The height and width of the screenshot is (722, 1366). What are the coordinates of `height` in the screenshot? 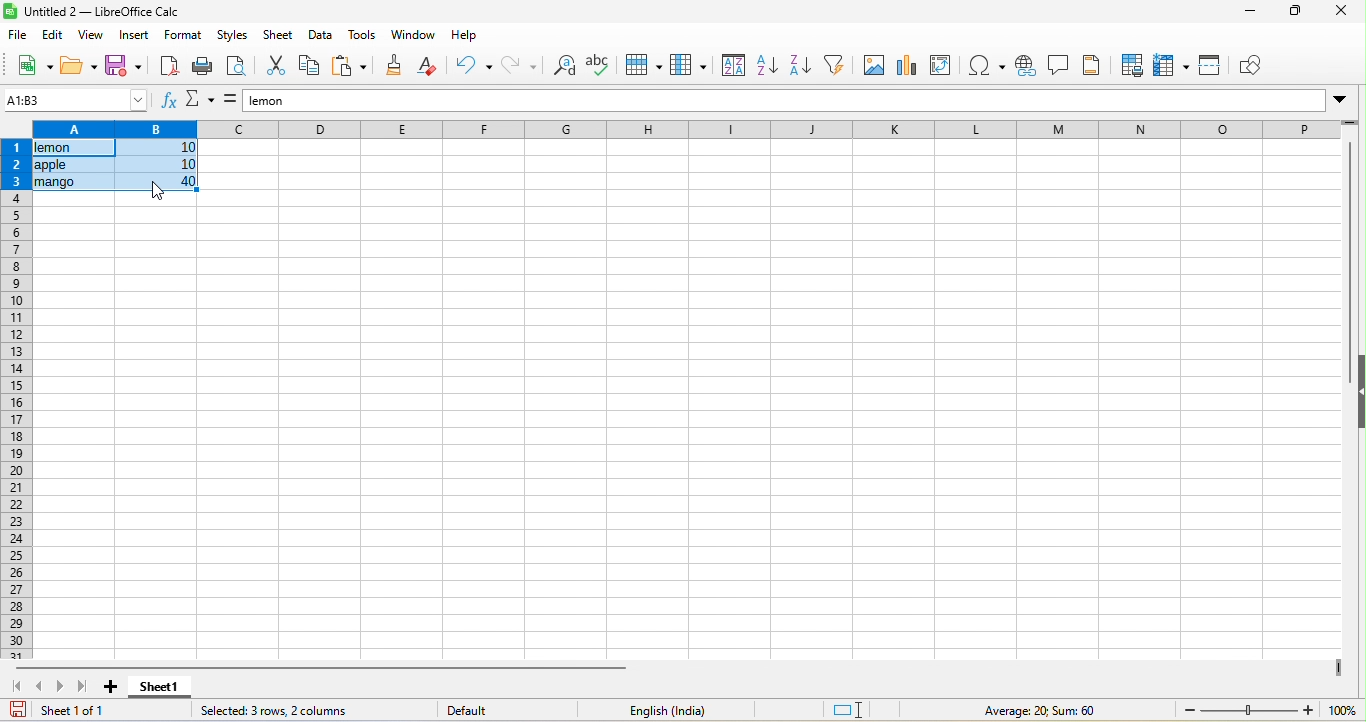 It's located at (1357, 392).